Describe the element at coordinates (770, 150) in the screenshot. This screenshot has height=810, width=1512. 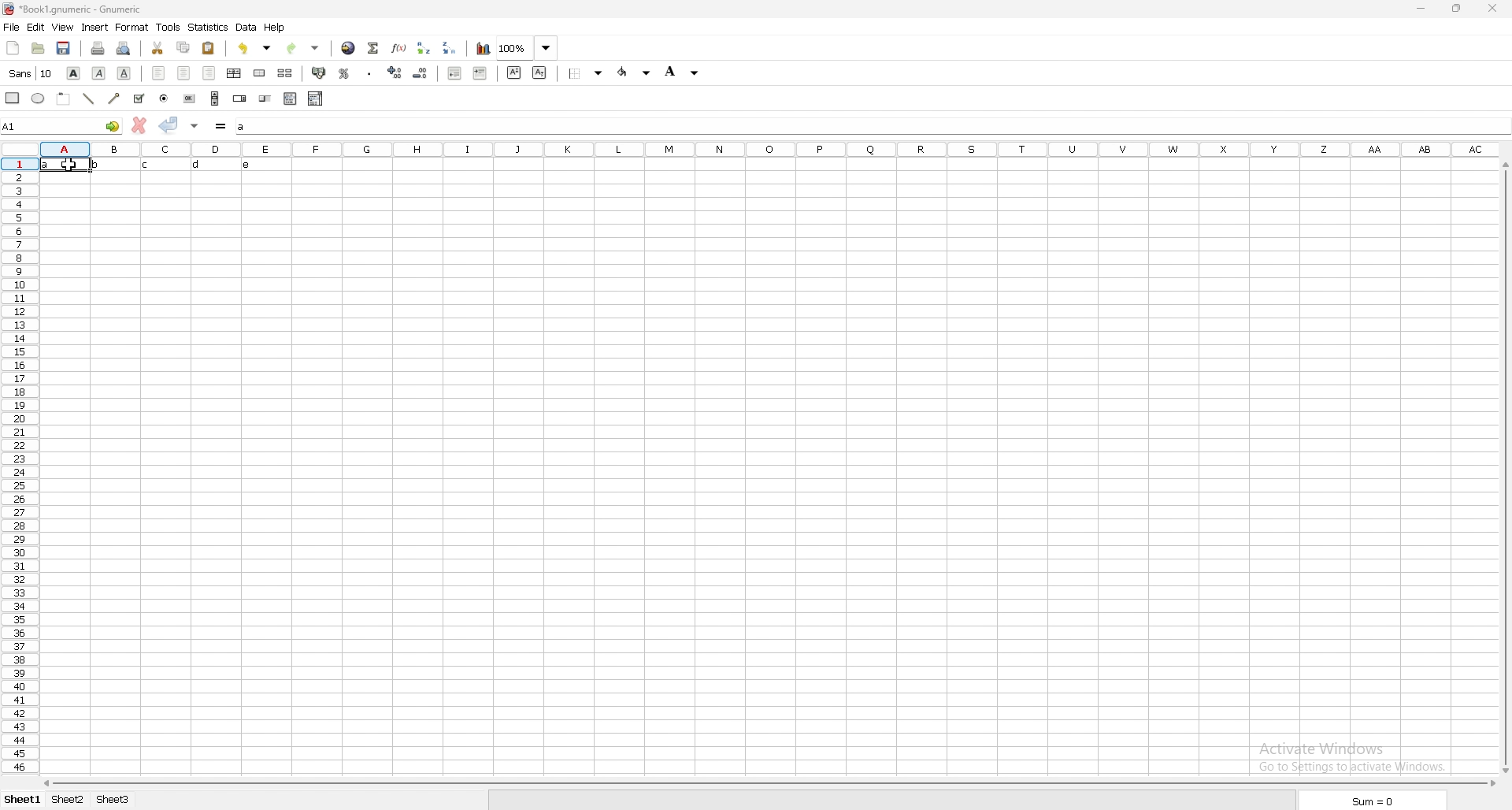
I see `column` at that location.